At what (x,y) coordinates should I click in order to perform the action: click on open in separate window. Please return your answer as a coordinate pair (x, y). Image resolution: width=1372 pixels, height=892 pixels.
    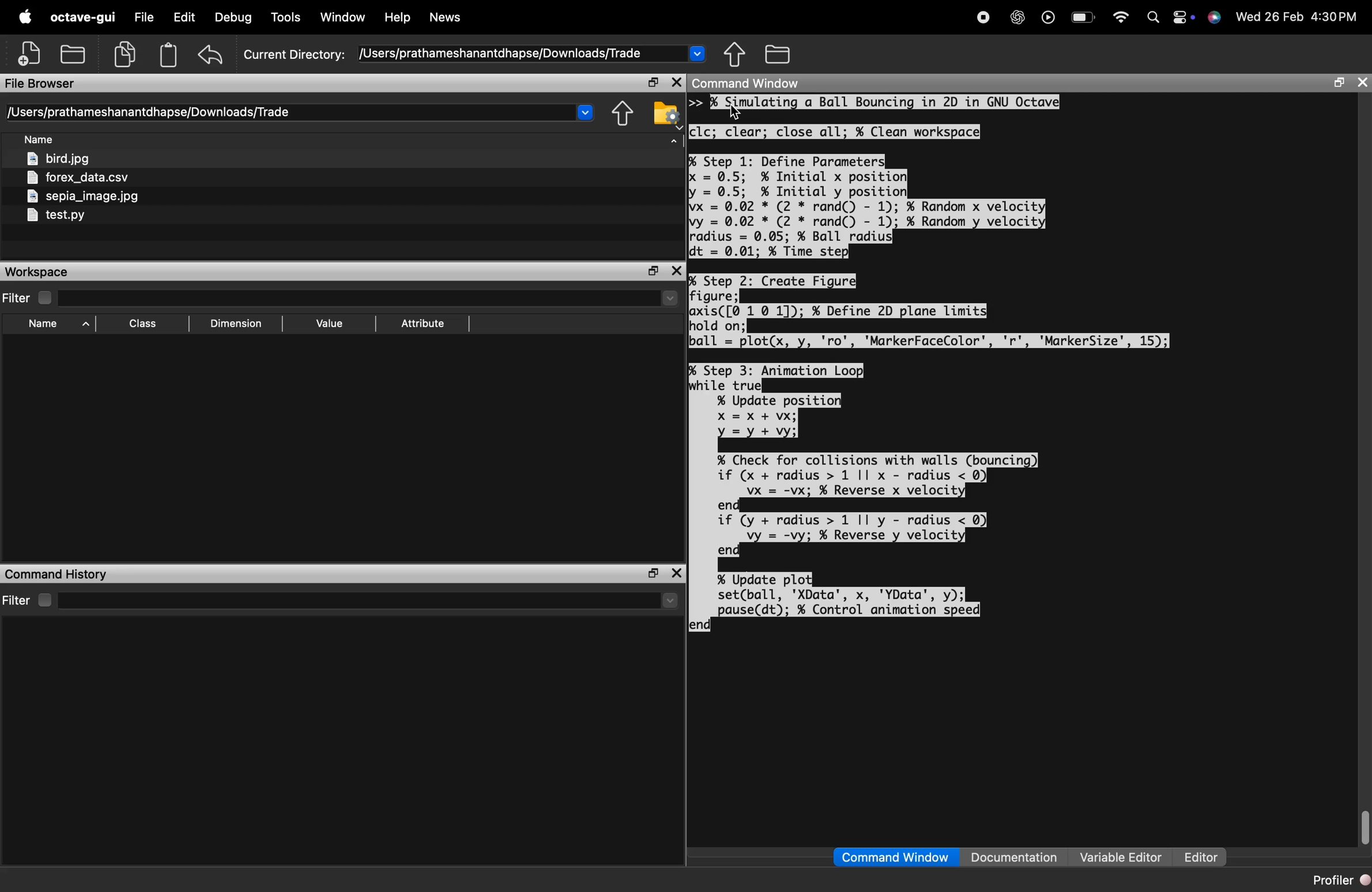
    Looking at the image, I should click on (653, 573).